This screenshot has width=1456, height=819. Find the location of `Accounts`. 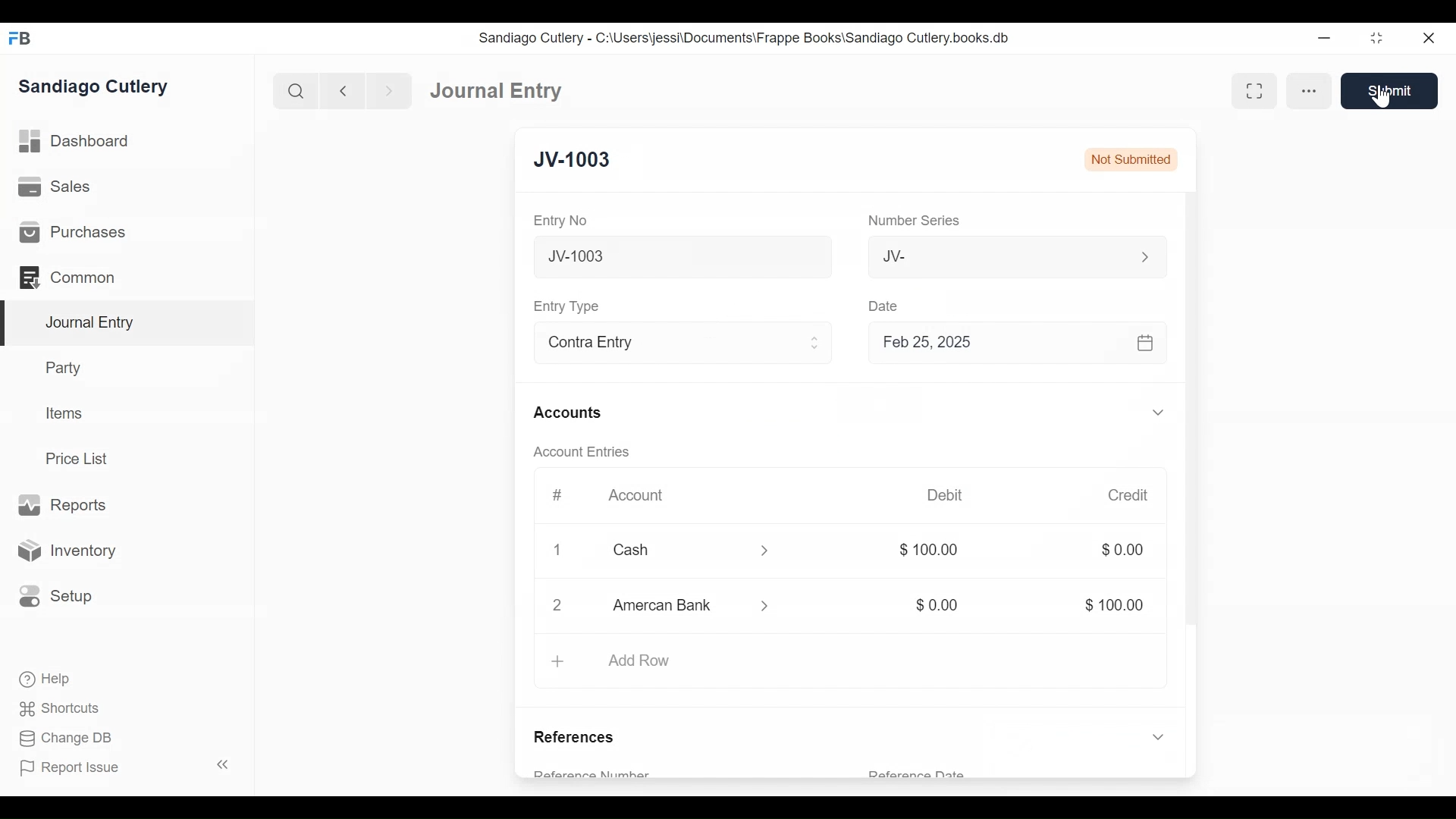

Accounts is located at coordinates (570, 413).